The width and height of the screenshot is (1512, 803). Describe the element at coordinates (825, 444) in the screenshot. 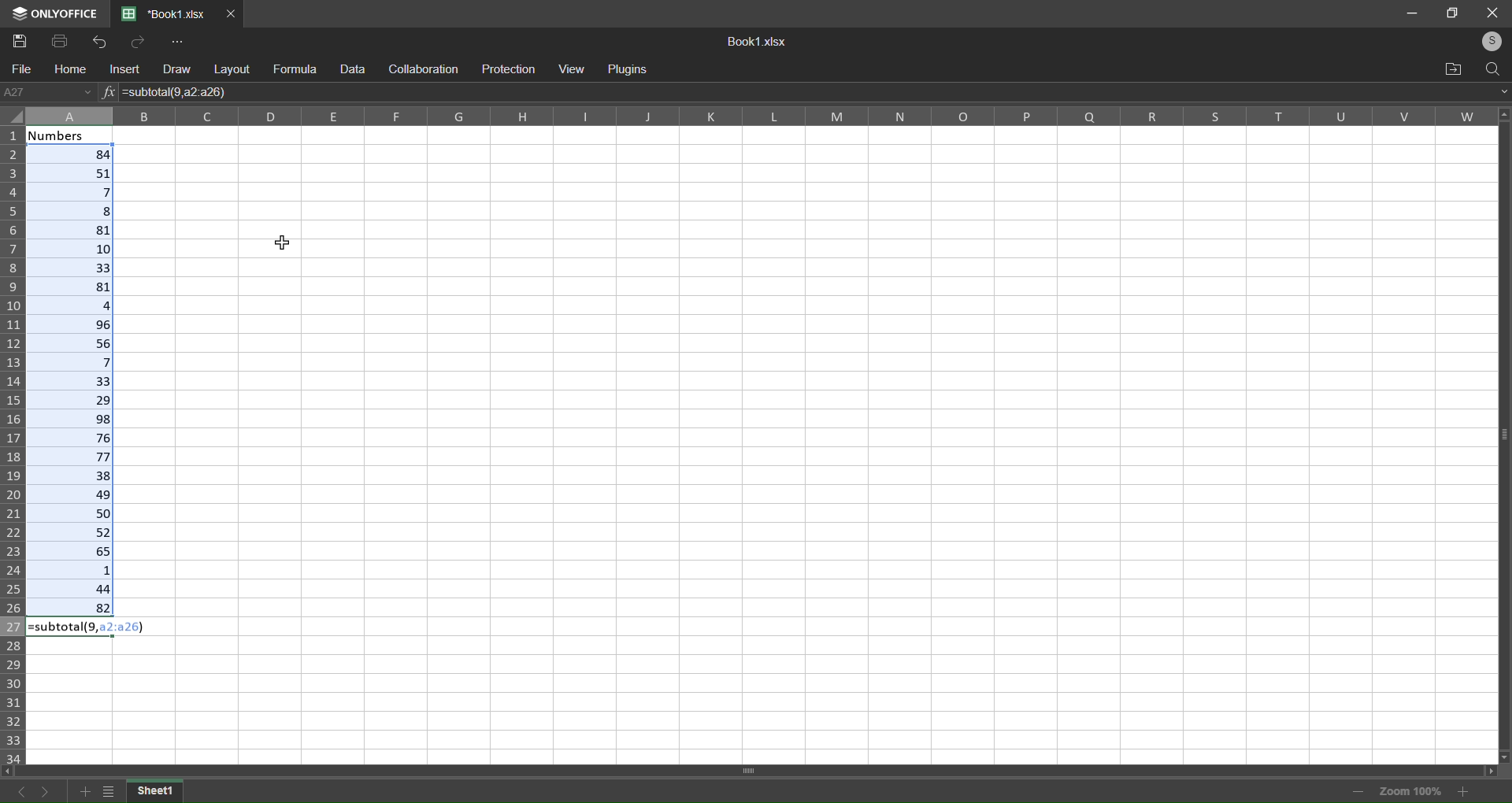

I see `cells` at that location.